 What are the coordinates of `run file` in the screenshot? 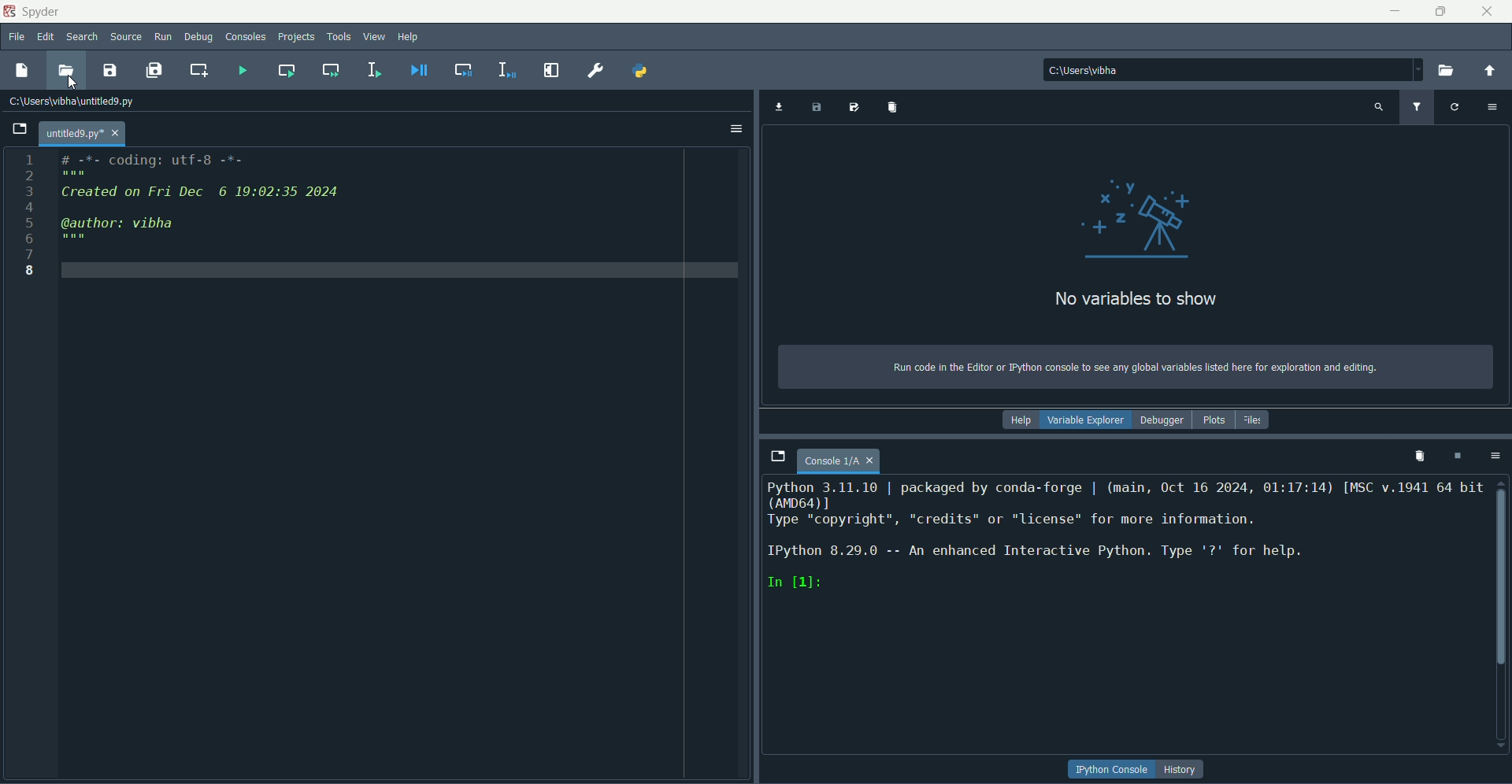 It's located at (243, 69).